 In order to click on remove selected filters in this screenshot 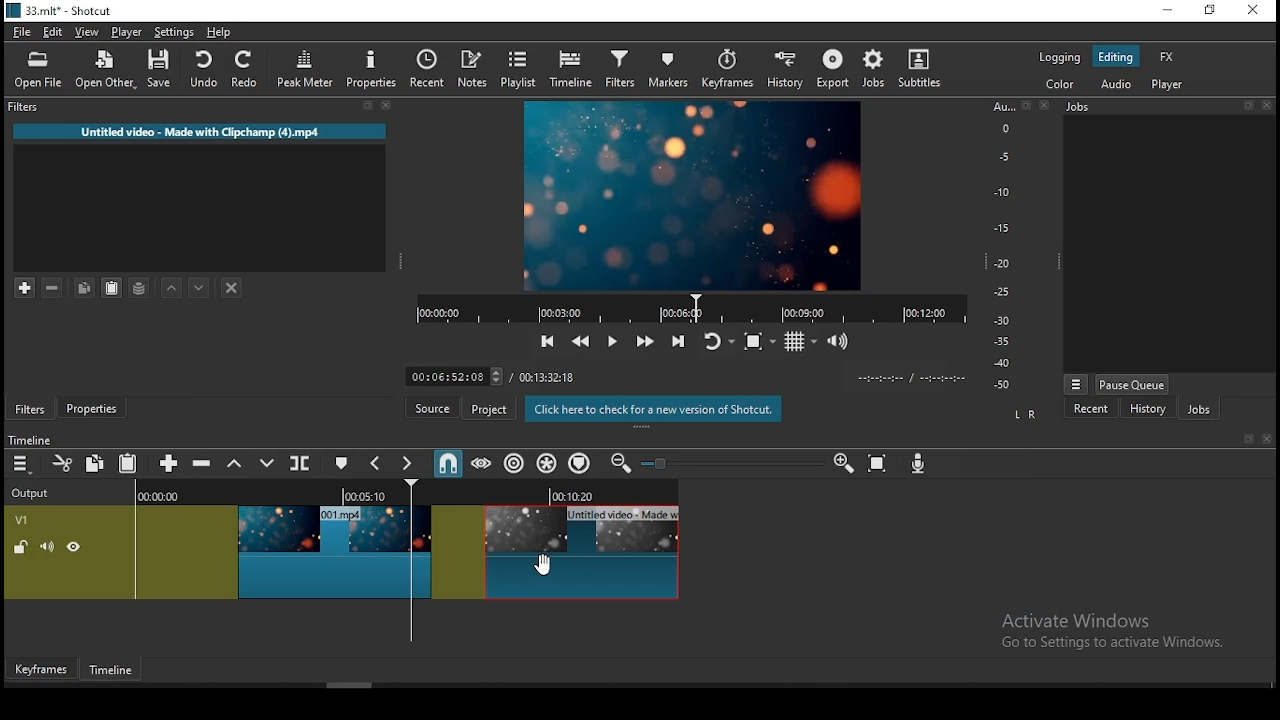, I will do `click(58, 288)`.